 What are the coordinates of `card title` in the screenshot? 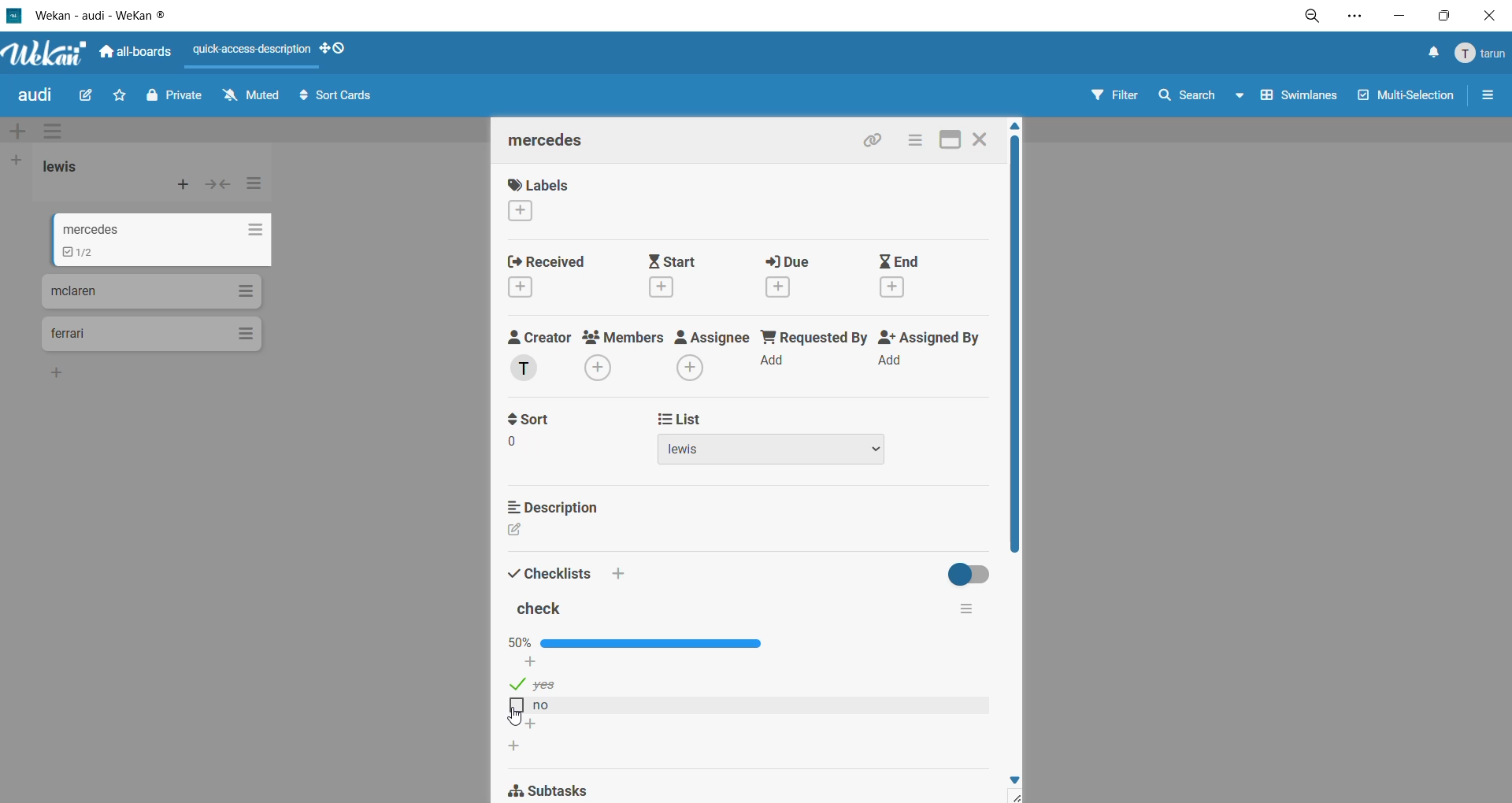 It's located at (557, 144).